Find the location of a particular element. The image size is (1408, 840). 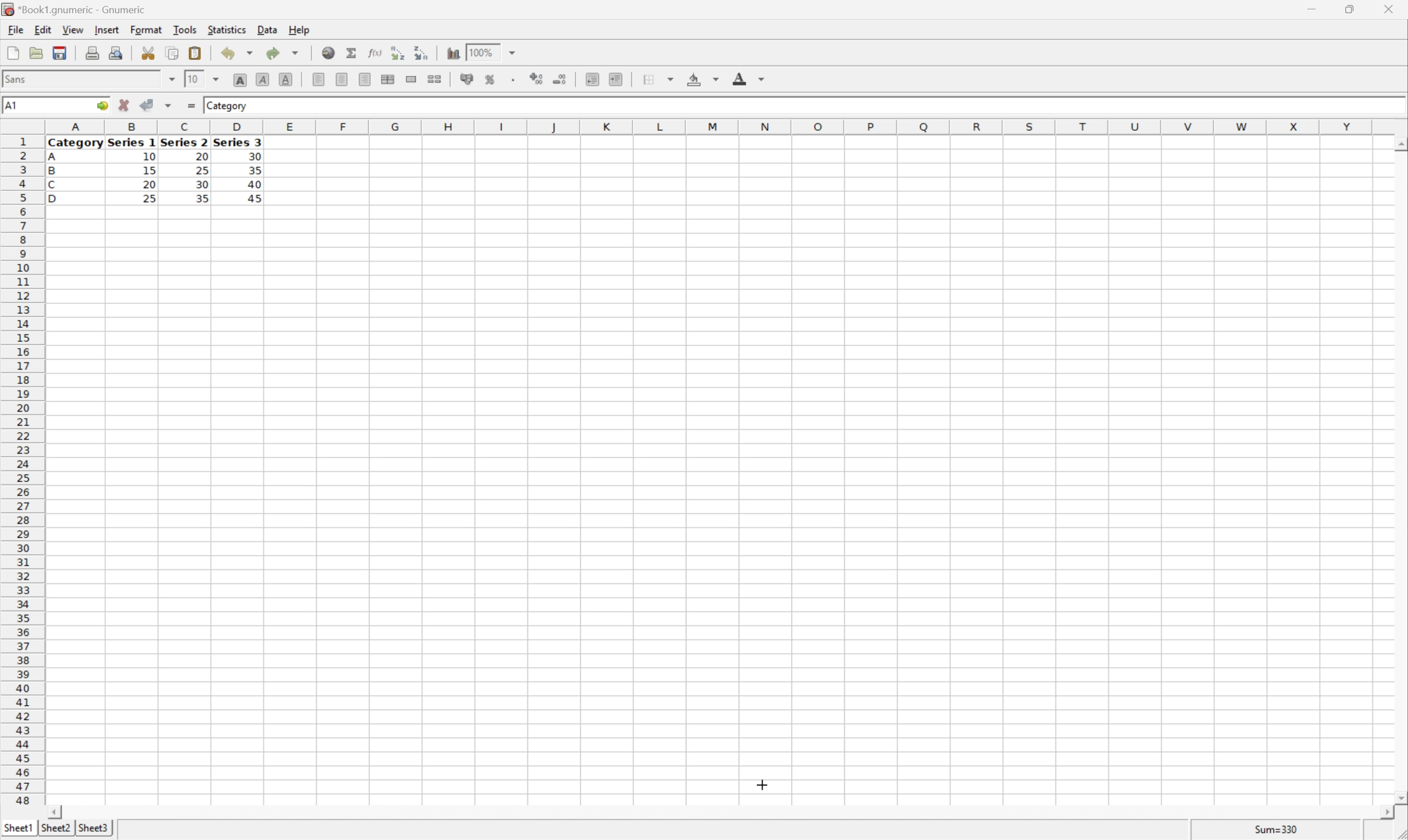

Series 3 is located at coordinates (238, 142).